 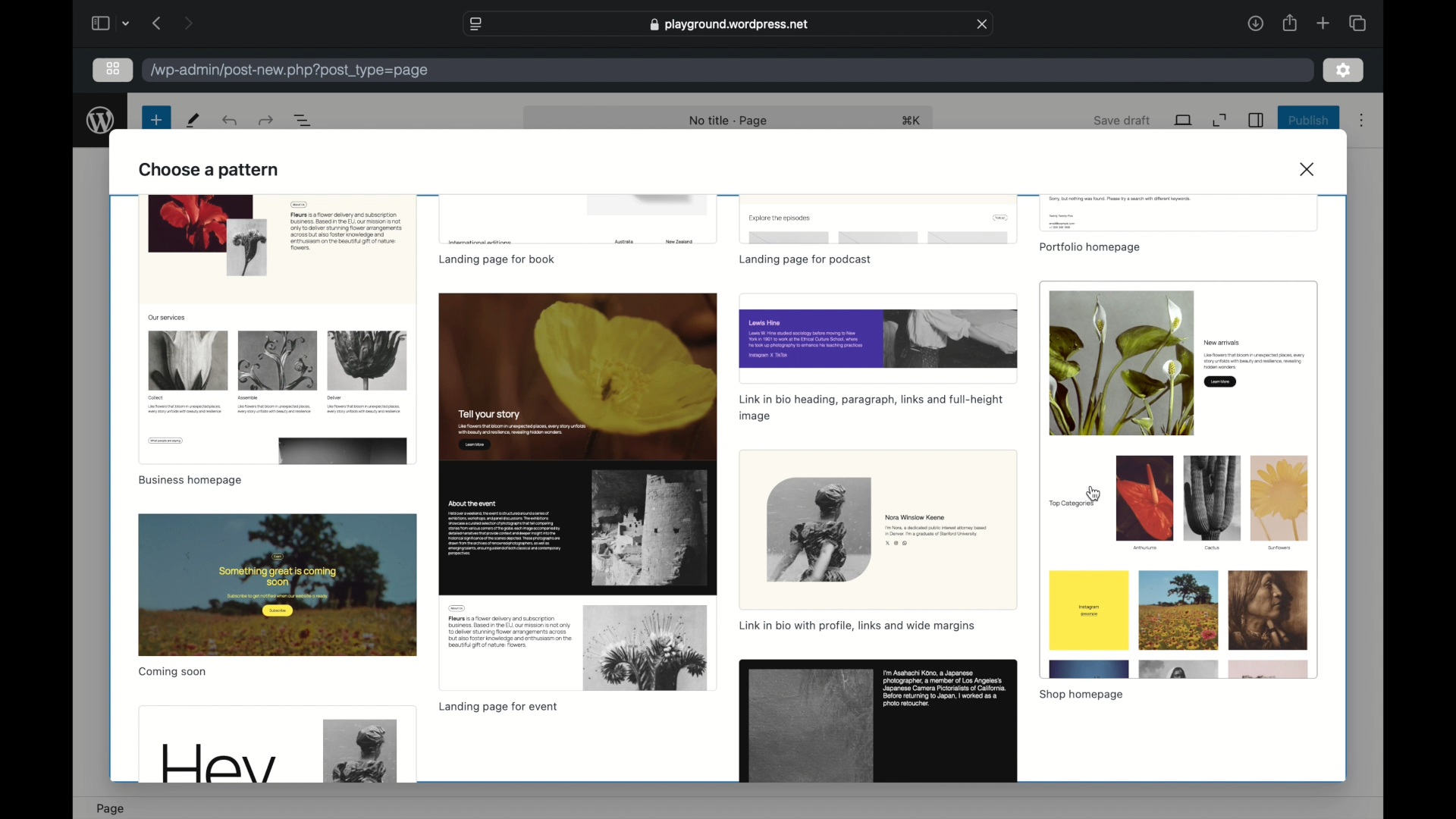 I want to click on show tab overview, so click(x=1357, y=23).